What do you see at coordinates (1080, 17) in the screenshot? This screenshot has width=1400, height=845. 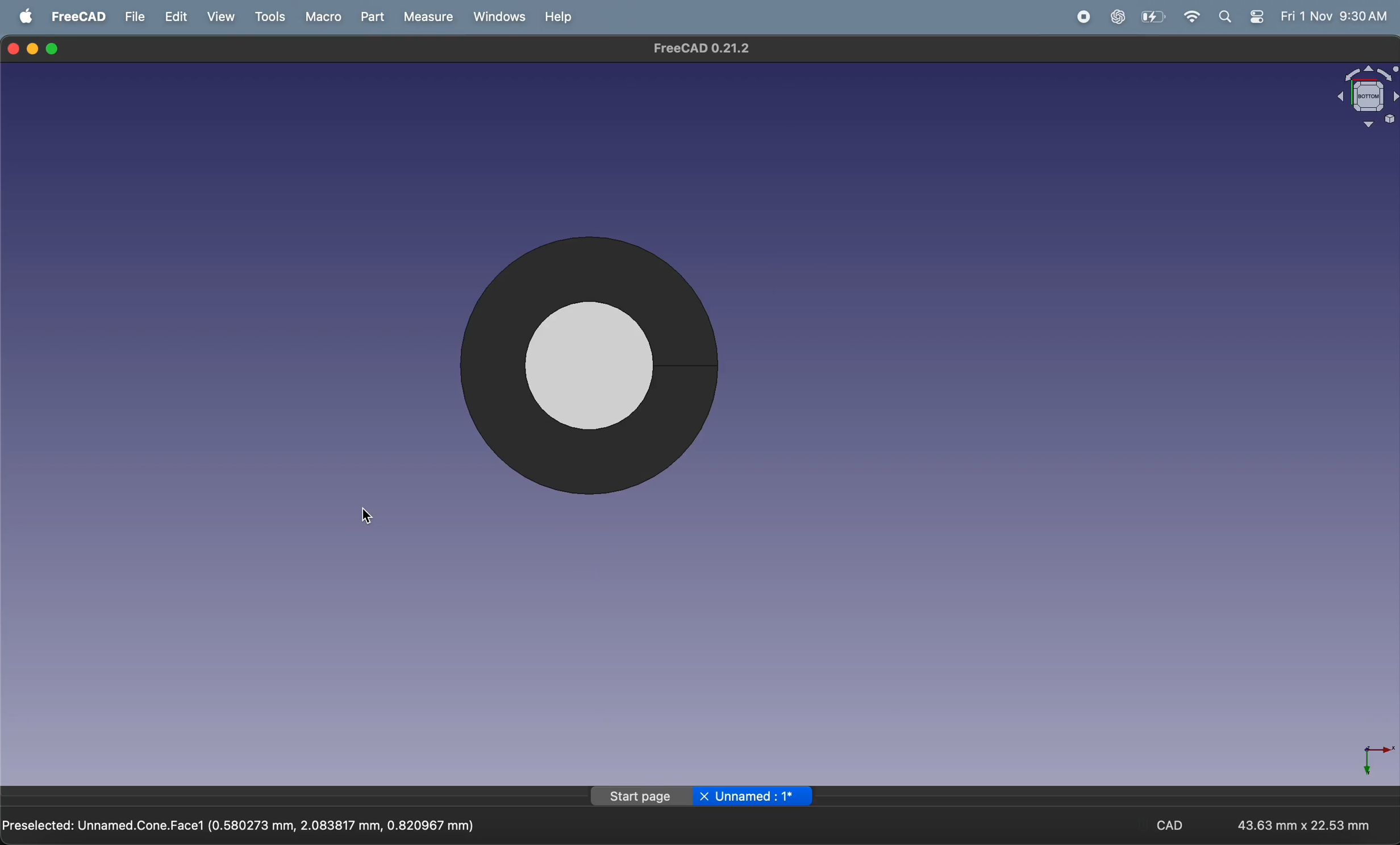 I see `record` at bounding box center [1080, 17].